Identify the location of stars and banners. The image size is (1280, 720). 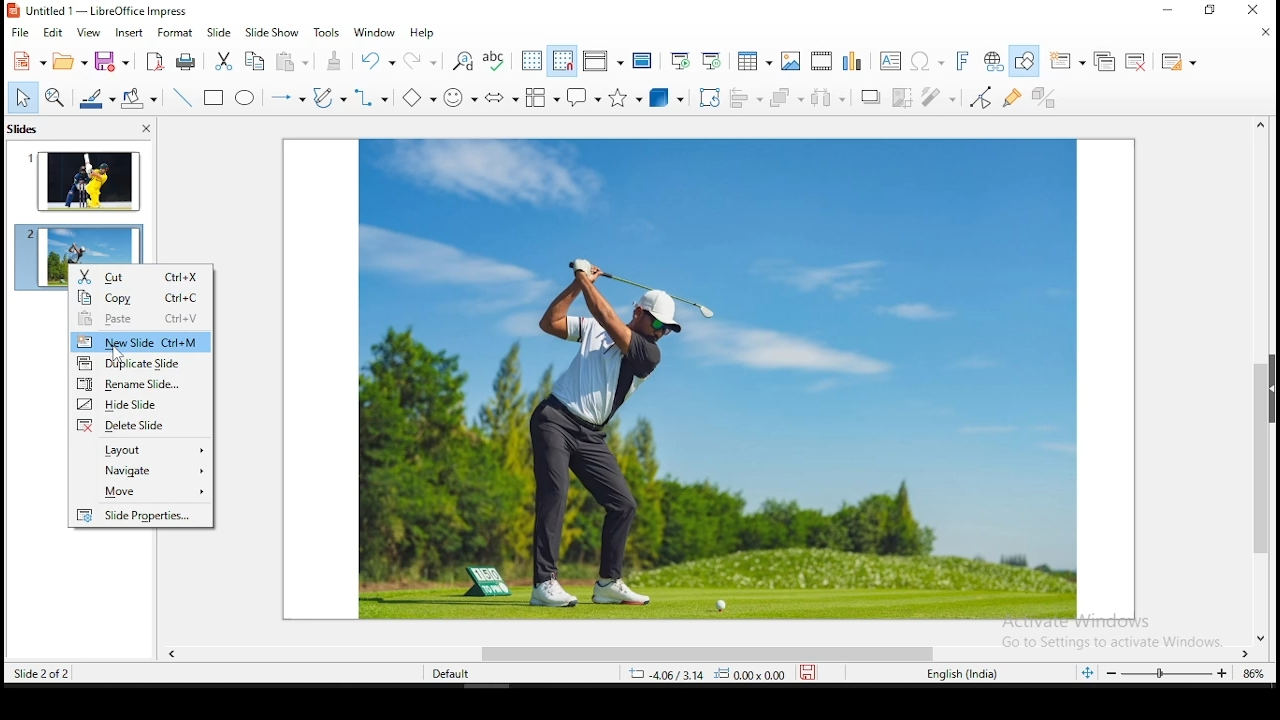
(625, 97).